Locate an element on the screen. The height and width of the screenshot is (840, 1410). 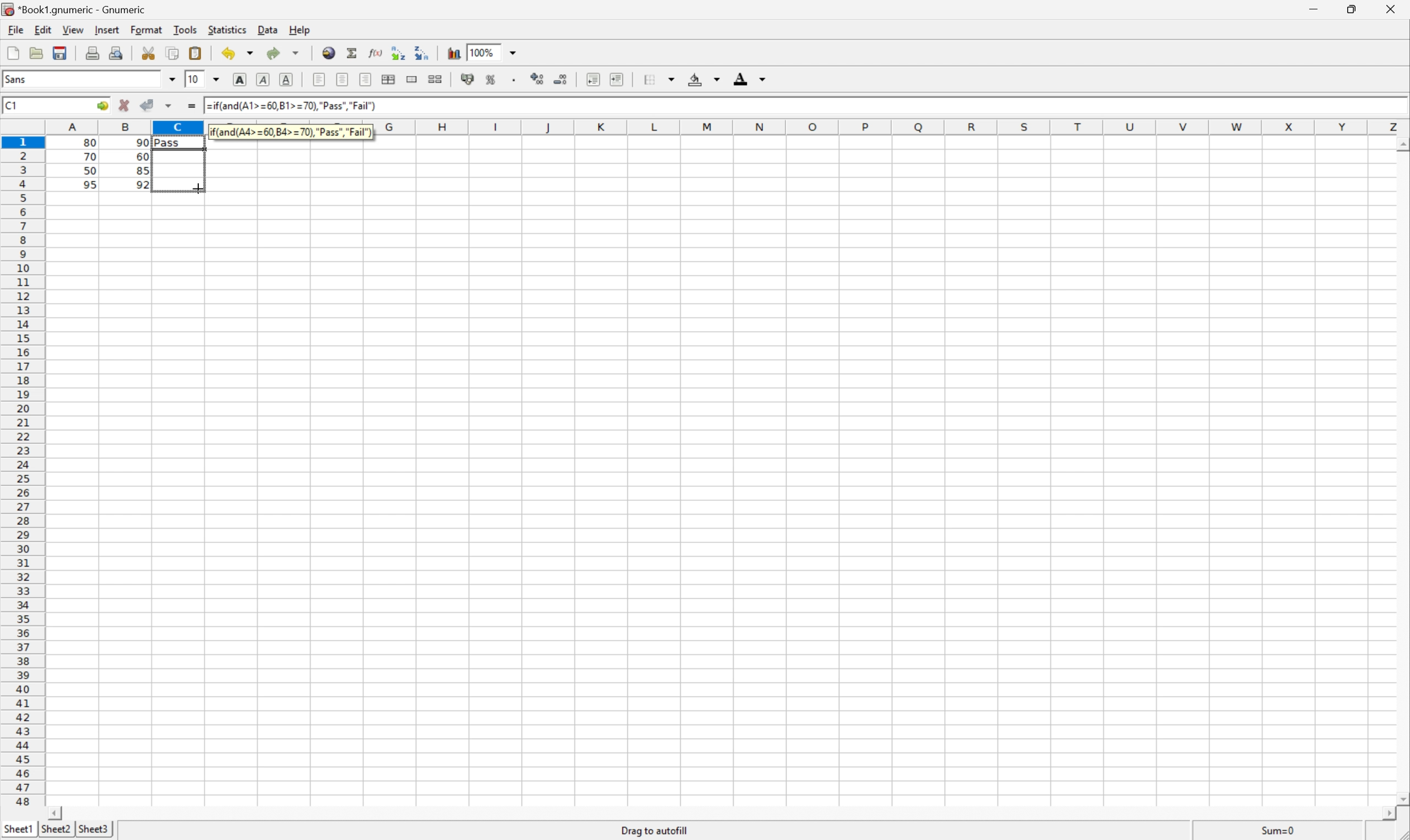
Align Right is located at coordinates (318, 80).